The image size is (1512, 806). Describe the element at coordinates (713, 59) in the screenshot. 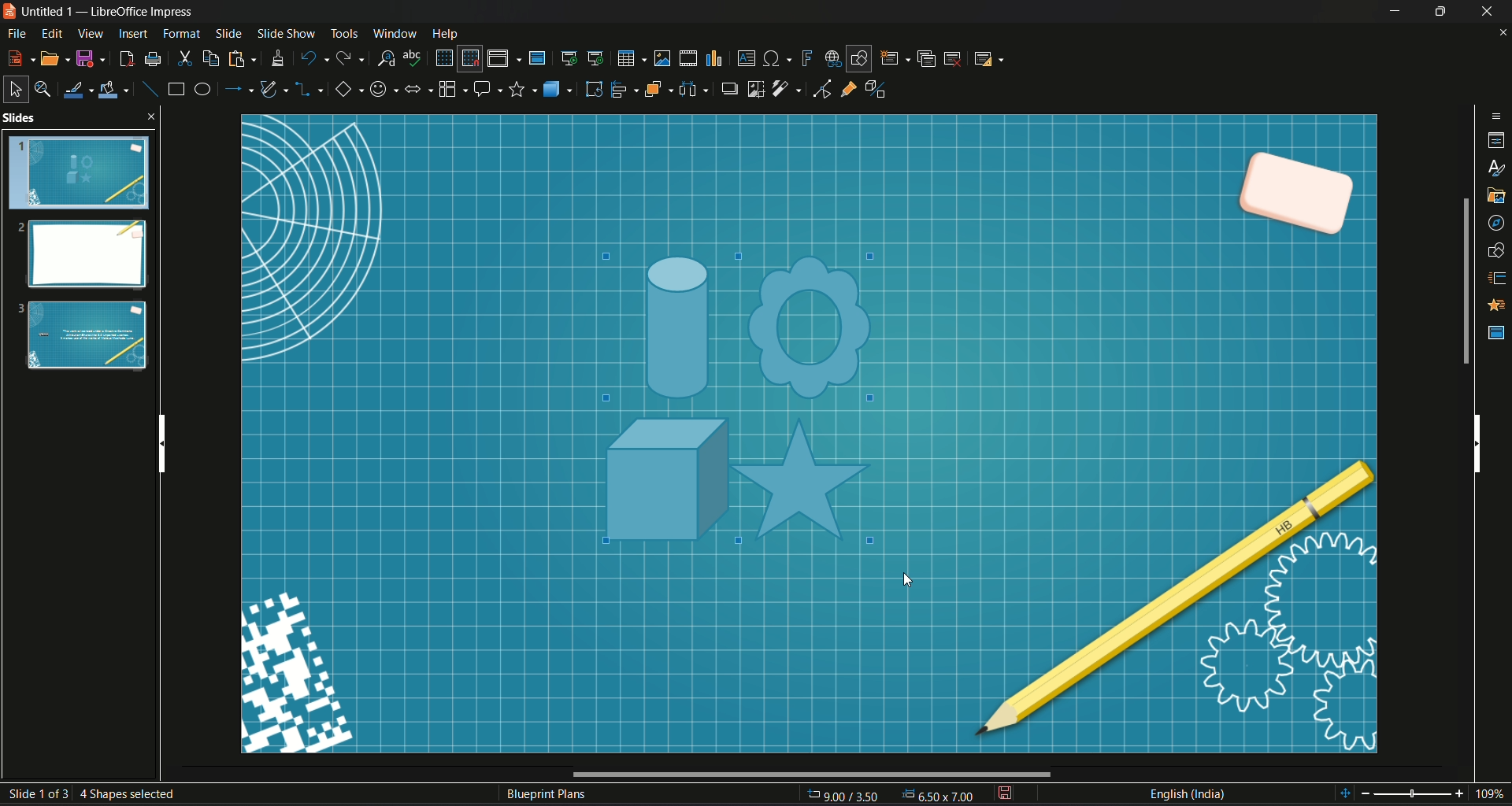

I see `insert chart` at that location.